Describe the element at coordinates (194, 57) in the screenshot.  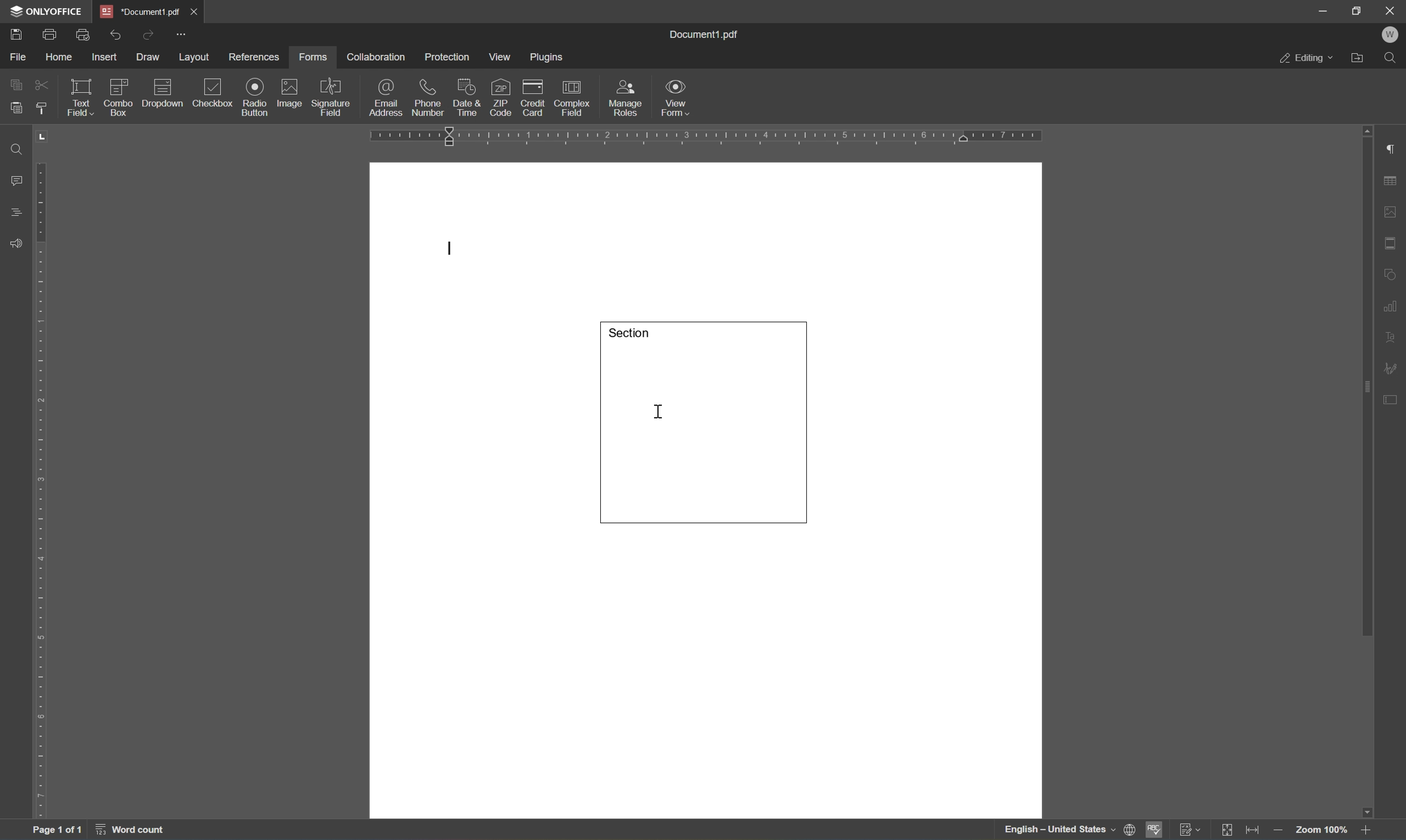
I see `layout` at that location.